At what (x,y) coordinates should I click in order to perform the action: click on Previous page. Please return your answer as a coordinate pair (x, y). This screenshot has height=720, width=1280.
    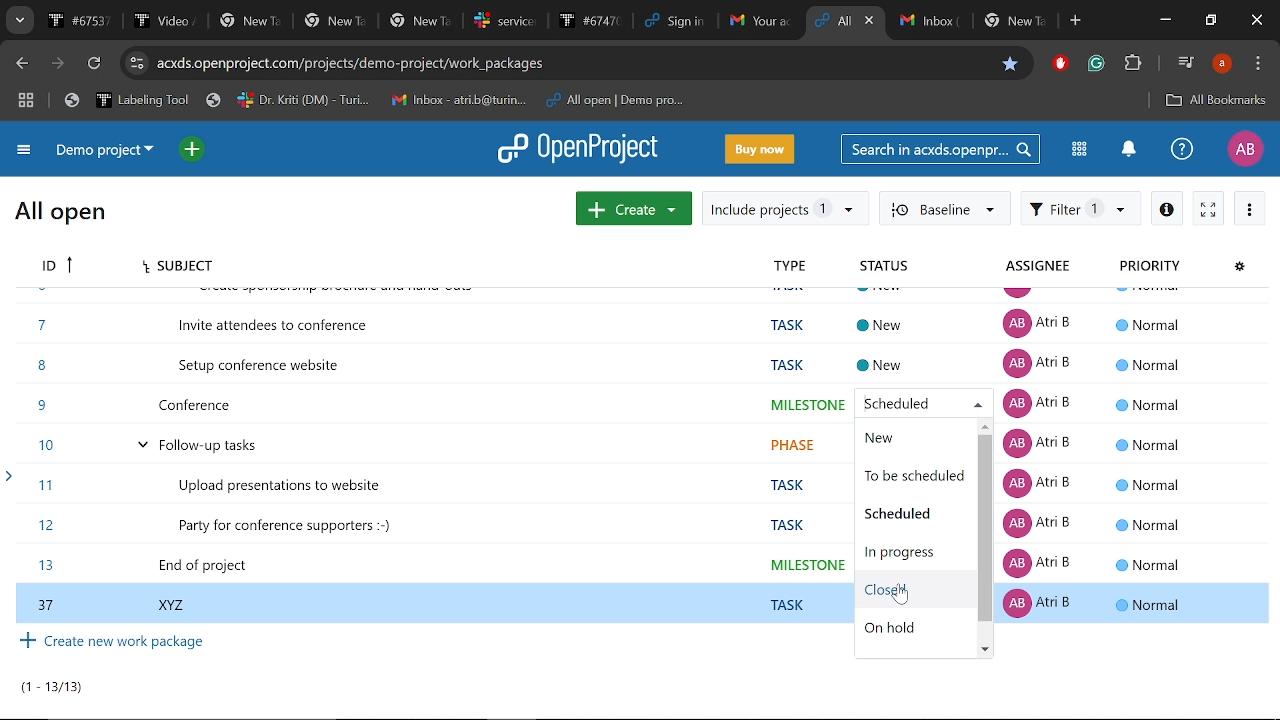
    Looking at the image, I should click on (25, 65).